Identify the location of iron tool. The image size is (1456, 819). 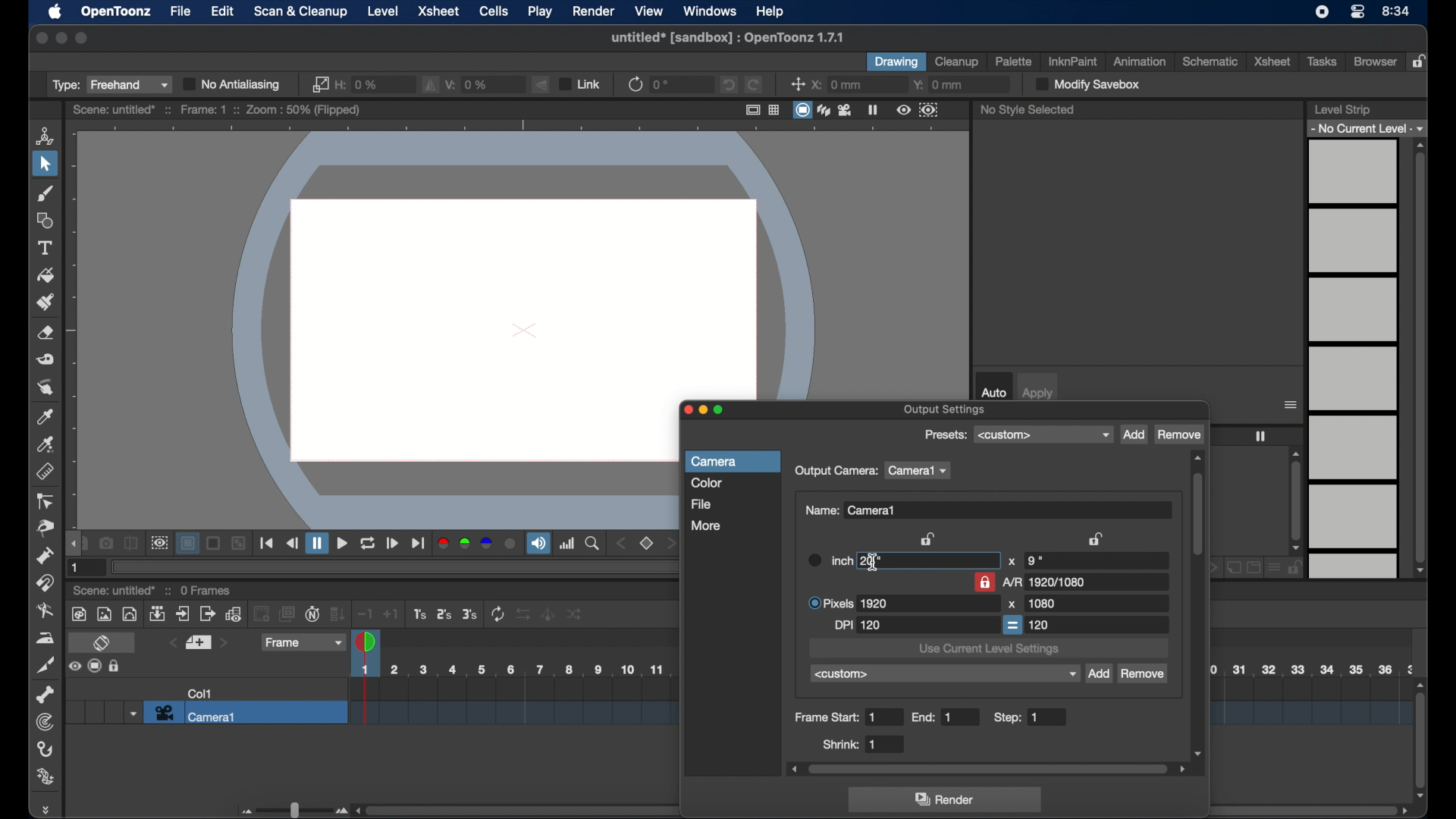
(45, 638).